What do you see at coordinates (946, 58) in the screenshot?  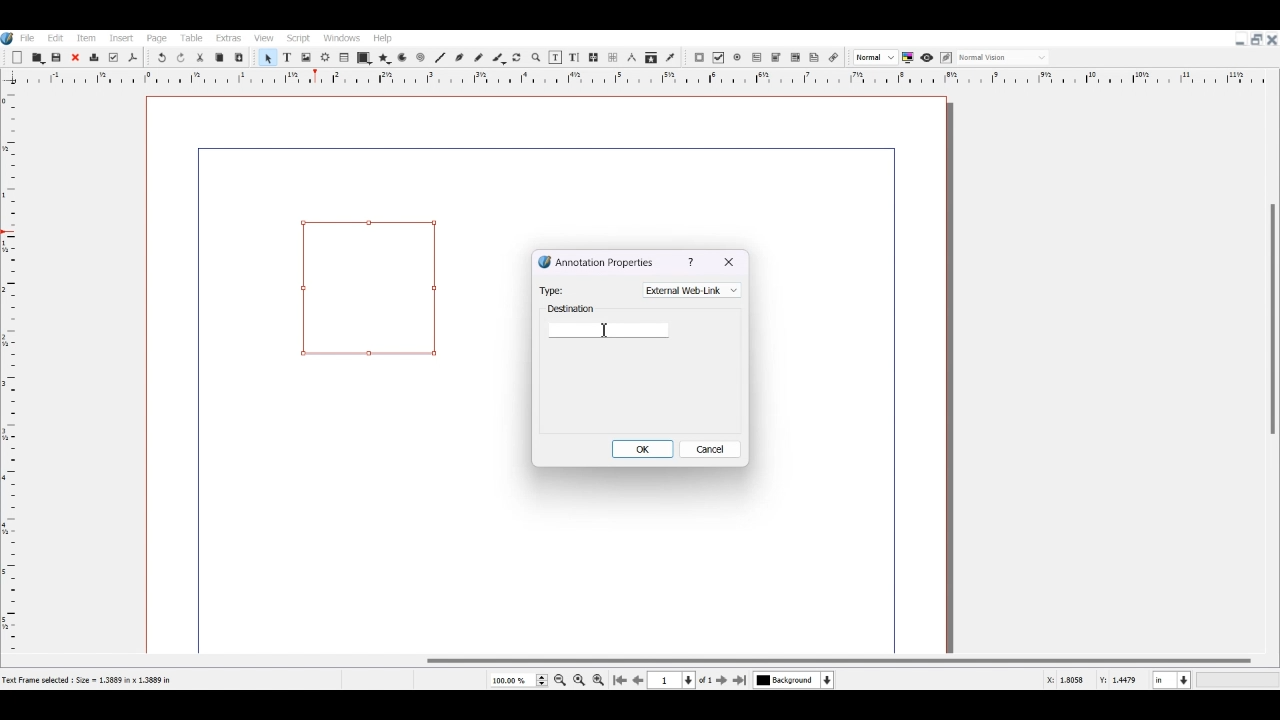 I see `Edit in preview mode` at bounding box center [946, 58].